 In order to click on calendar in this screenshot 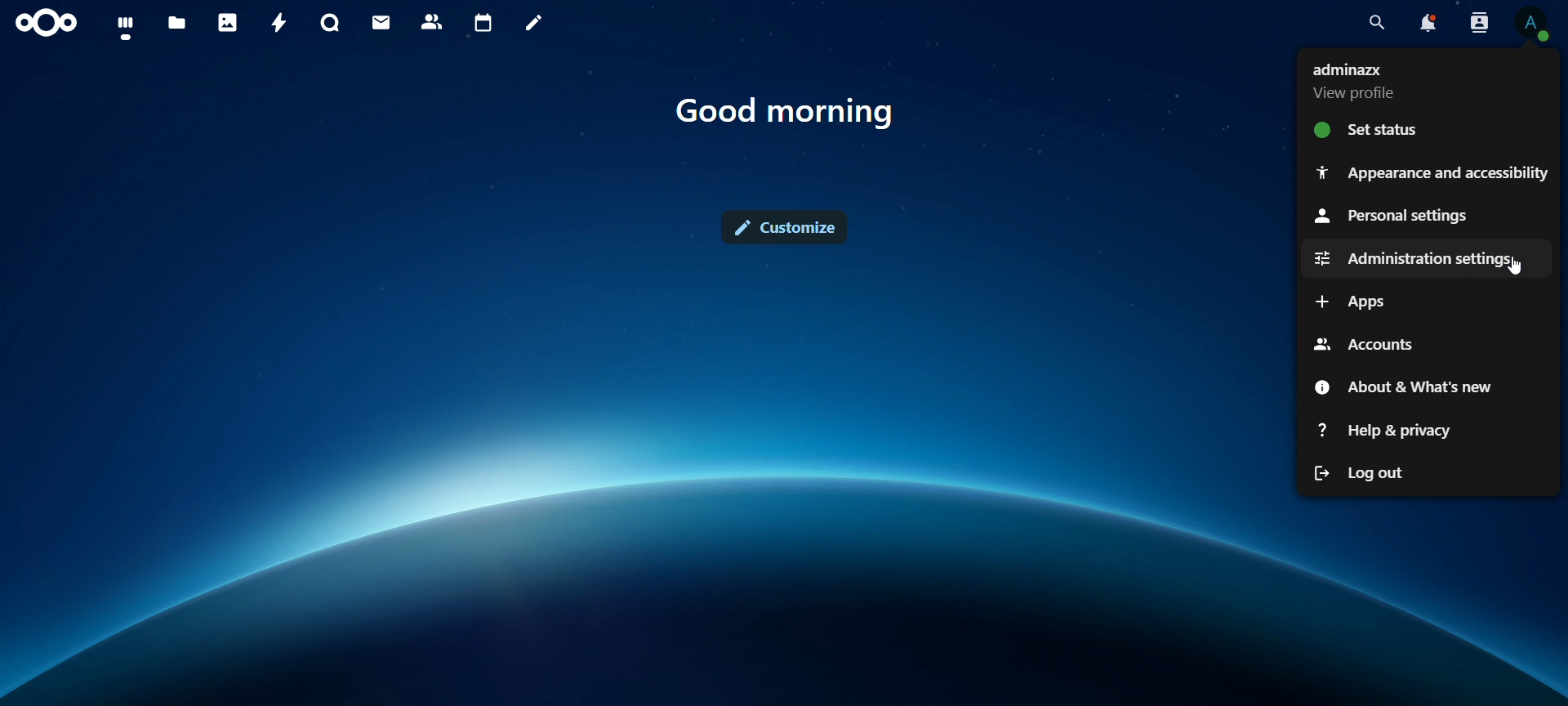, I will do `click(484, 23)`.